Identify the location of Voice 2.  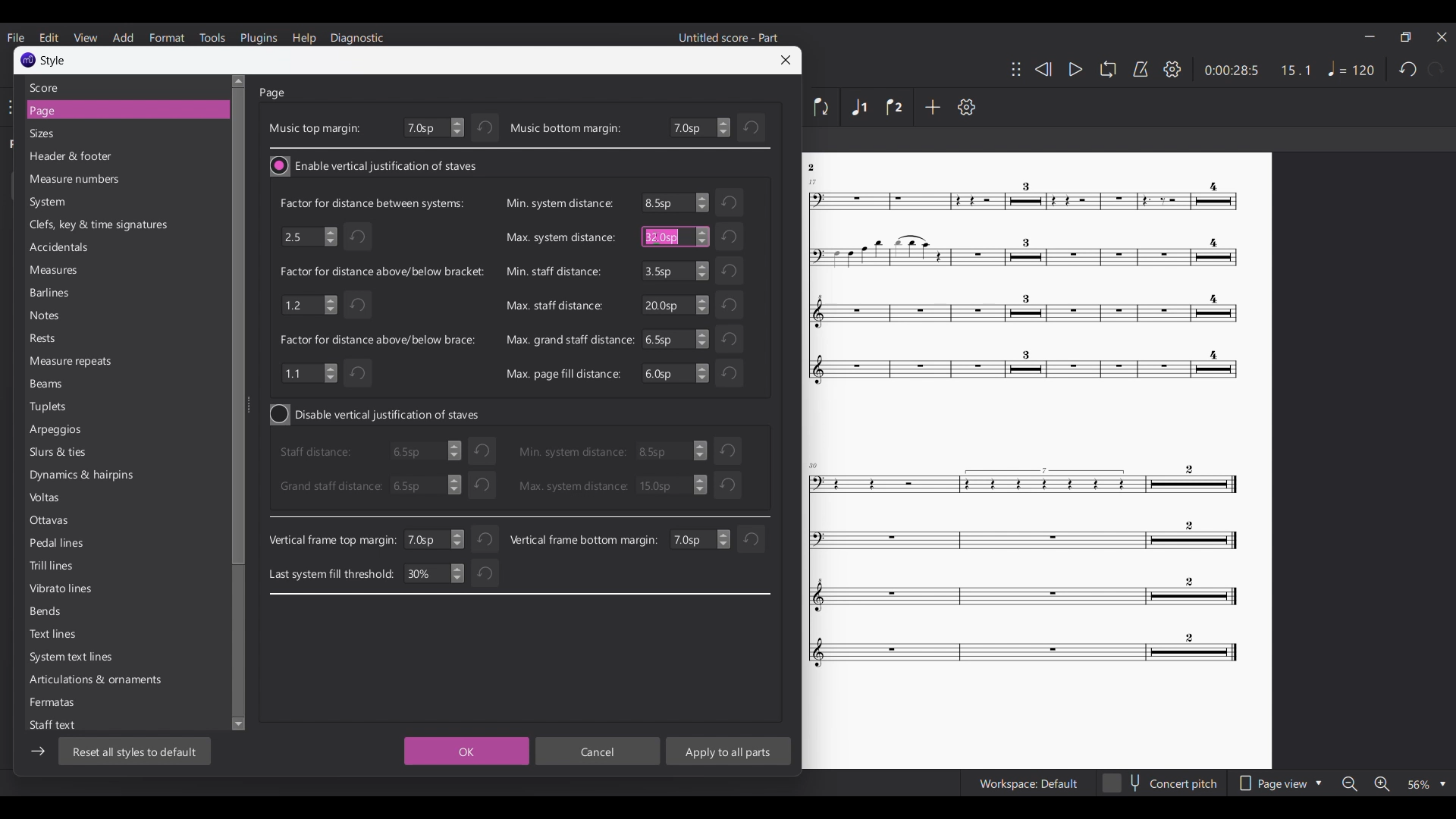
(895, 107).